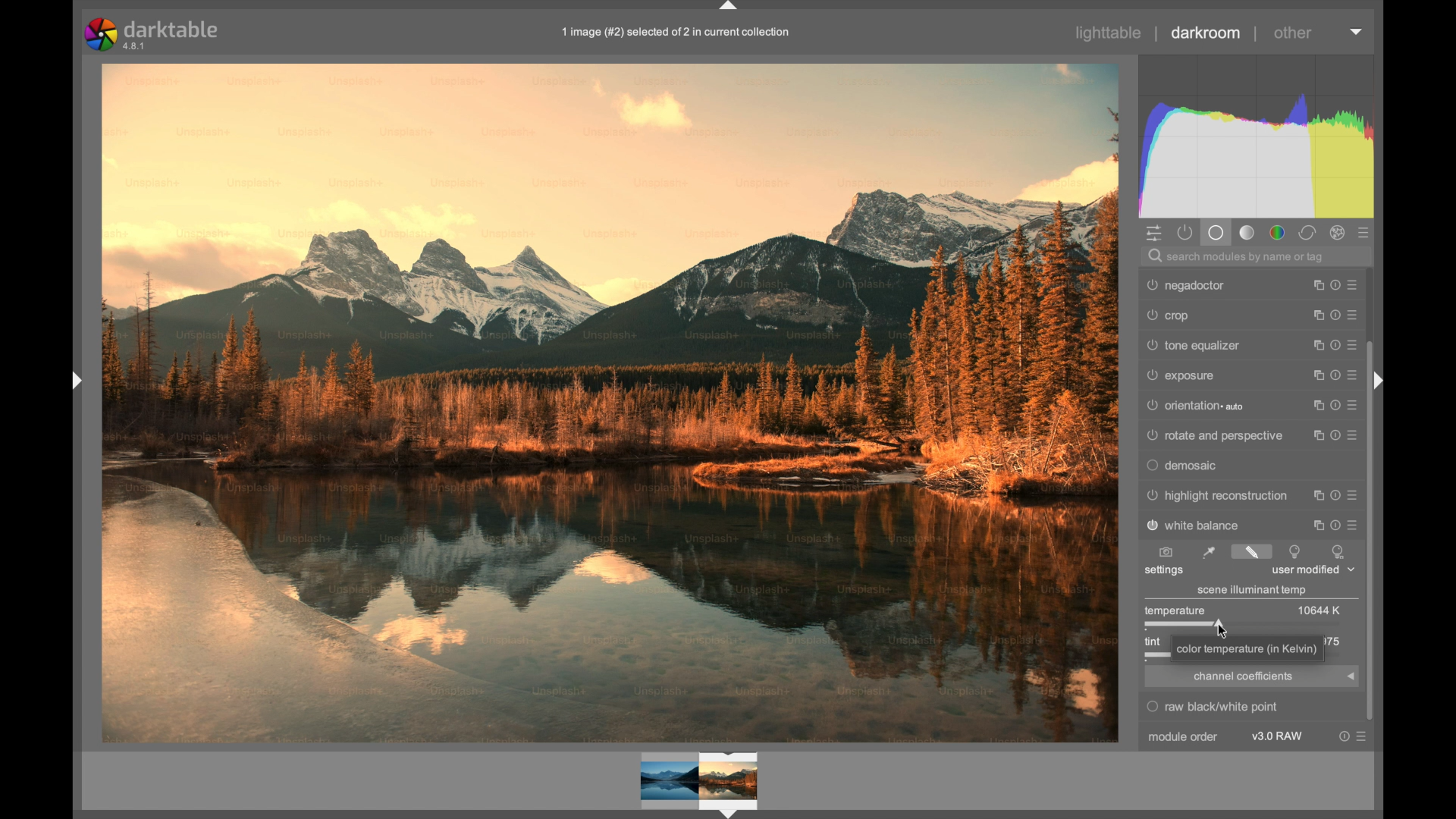  What do you see at coordinates (1356, 401) in the screenshot?
I see `presets` at bounding box center [1356, 401].